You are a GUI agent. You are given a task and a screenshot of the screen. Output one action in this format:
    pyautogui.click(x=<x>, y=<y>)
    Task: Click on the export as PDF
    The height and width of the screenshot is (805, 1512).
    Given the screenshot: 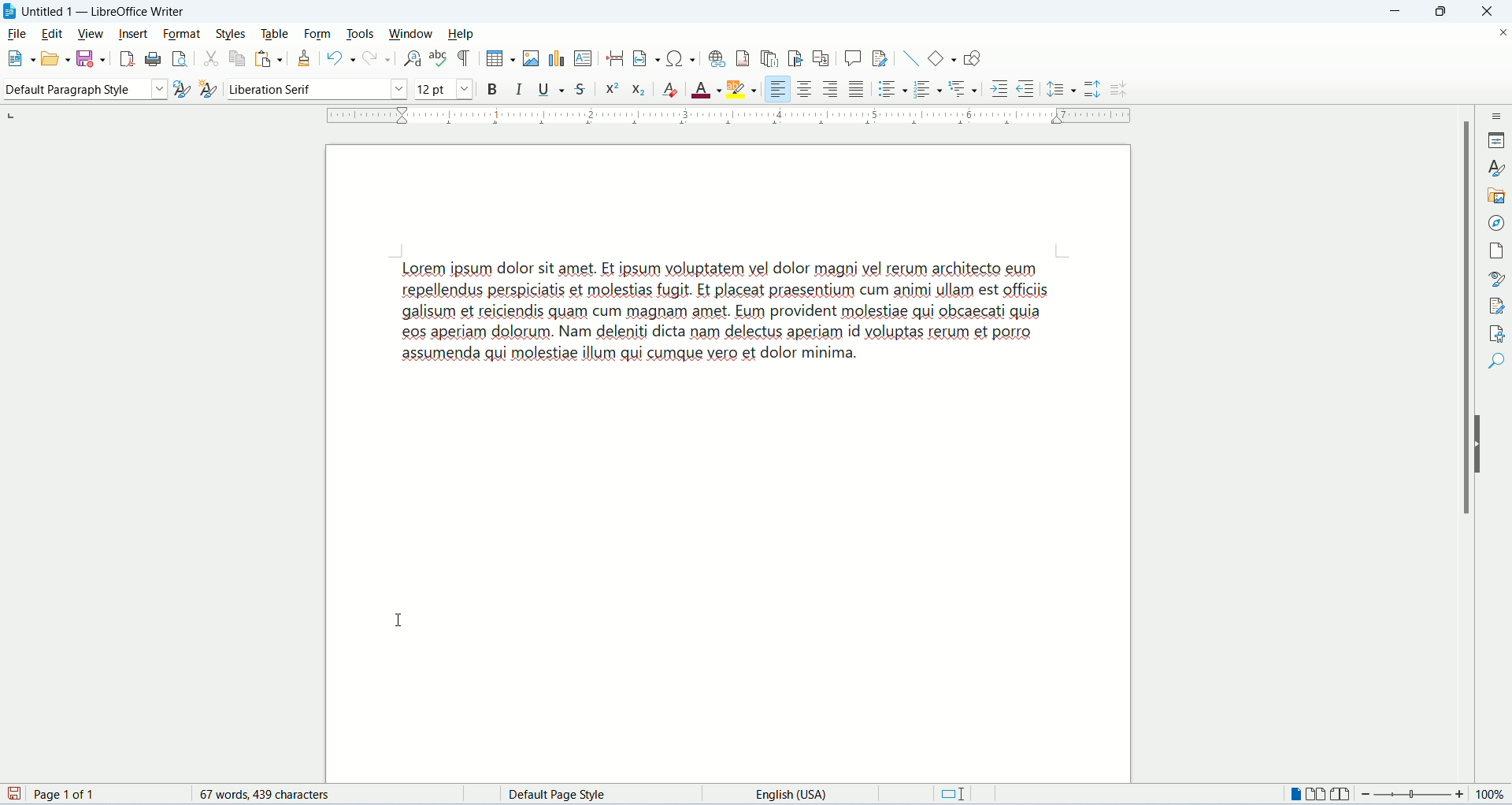 What is the action you would take?
    pyautogui.click(x=128, y=59)
    